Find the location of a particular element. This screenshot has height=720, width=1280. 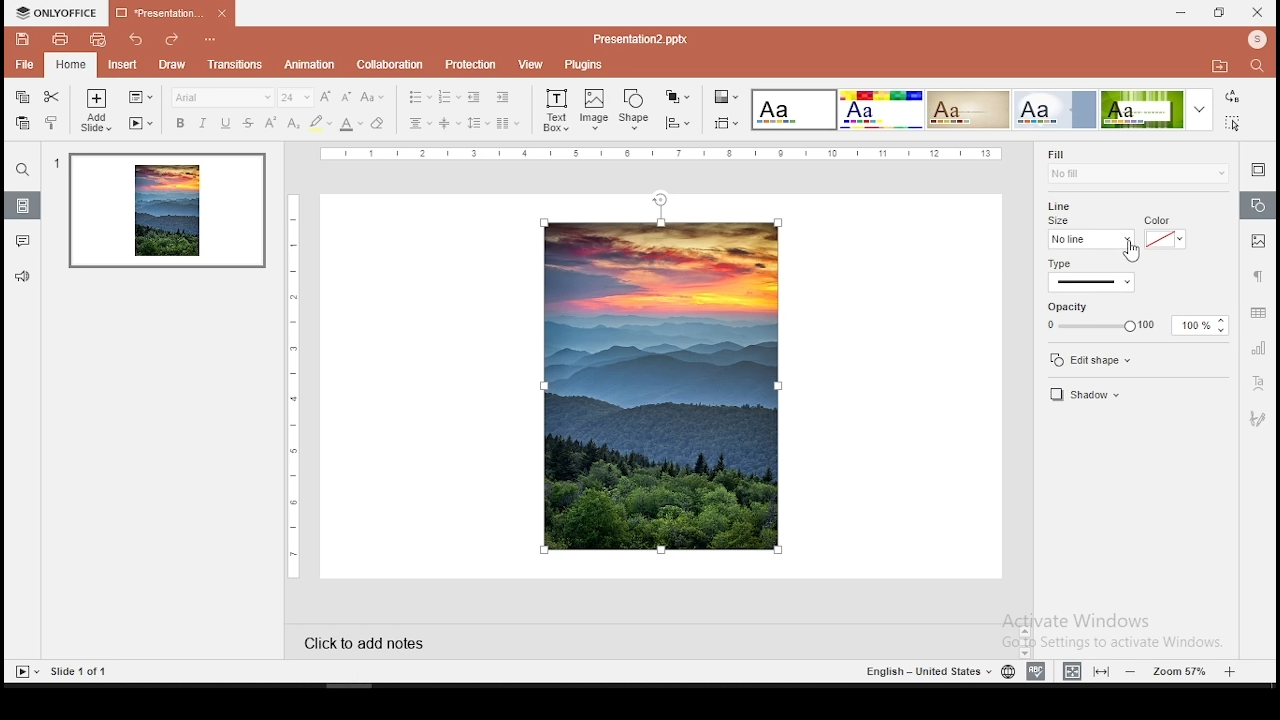

arrange objects is located at coordinates (679, 97).